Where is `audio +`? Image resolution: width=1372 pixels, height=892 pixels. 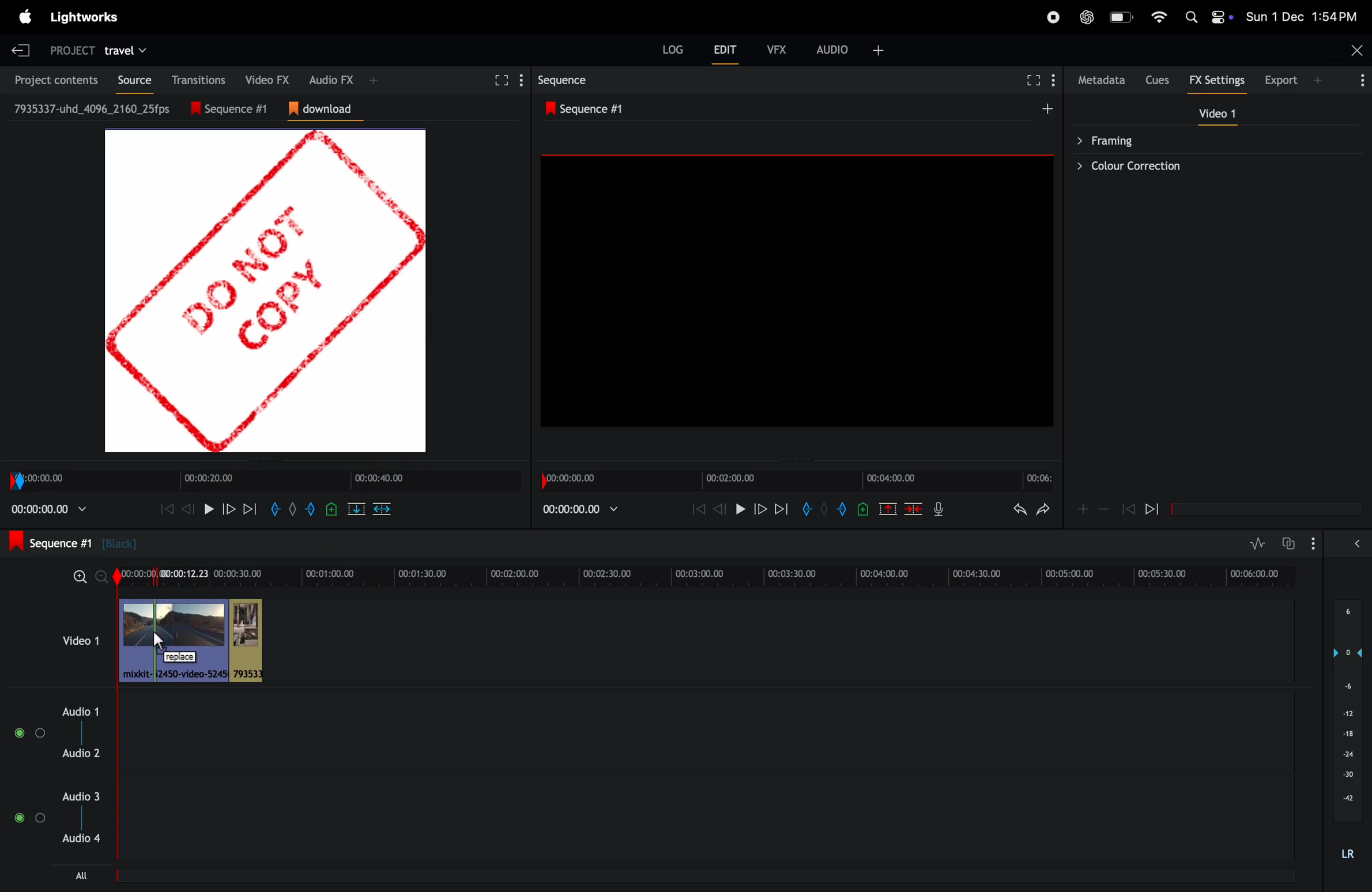
audio + is located at coordinates (833, 50).